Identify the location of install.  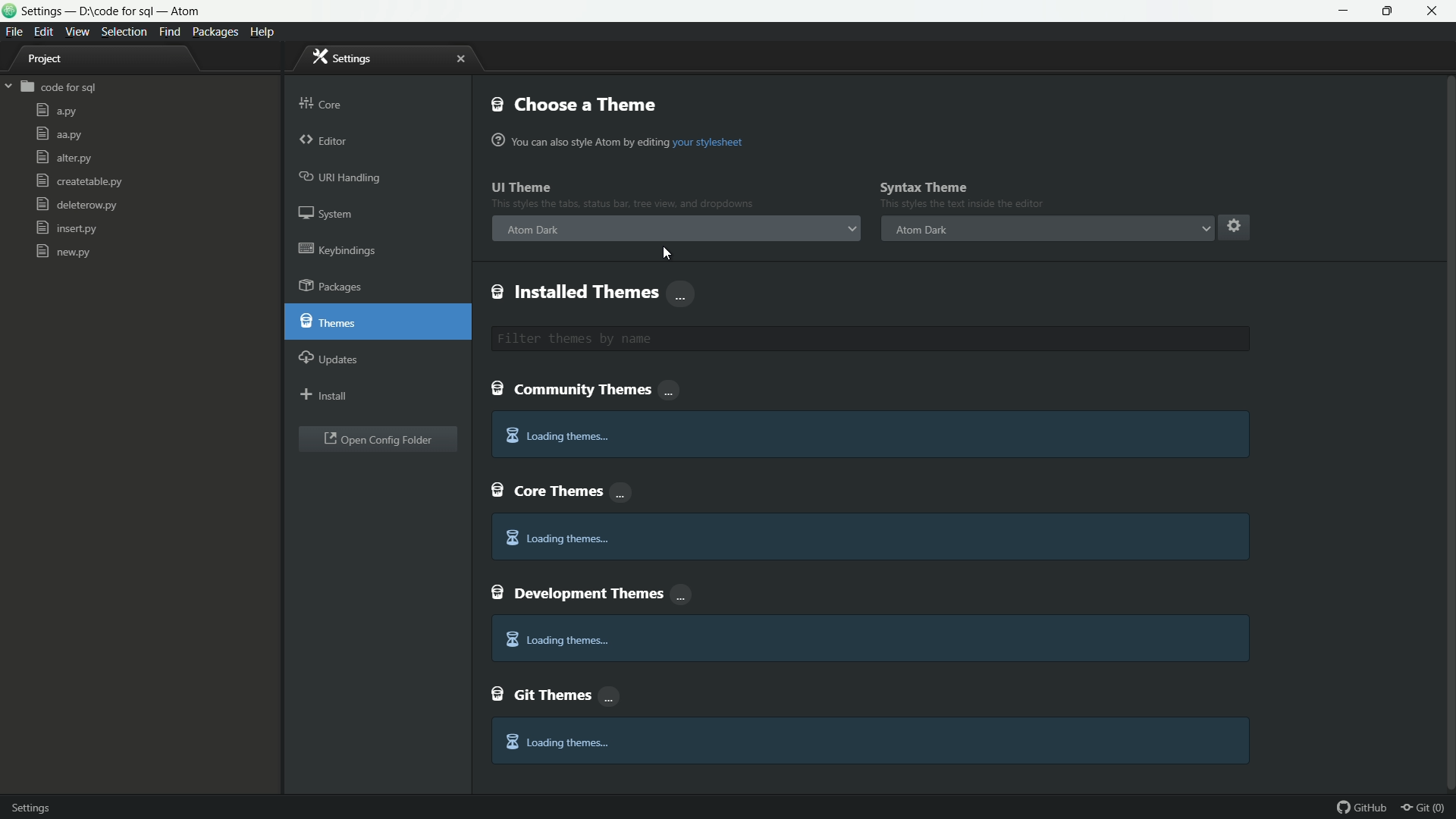
(325, 394).